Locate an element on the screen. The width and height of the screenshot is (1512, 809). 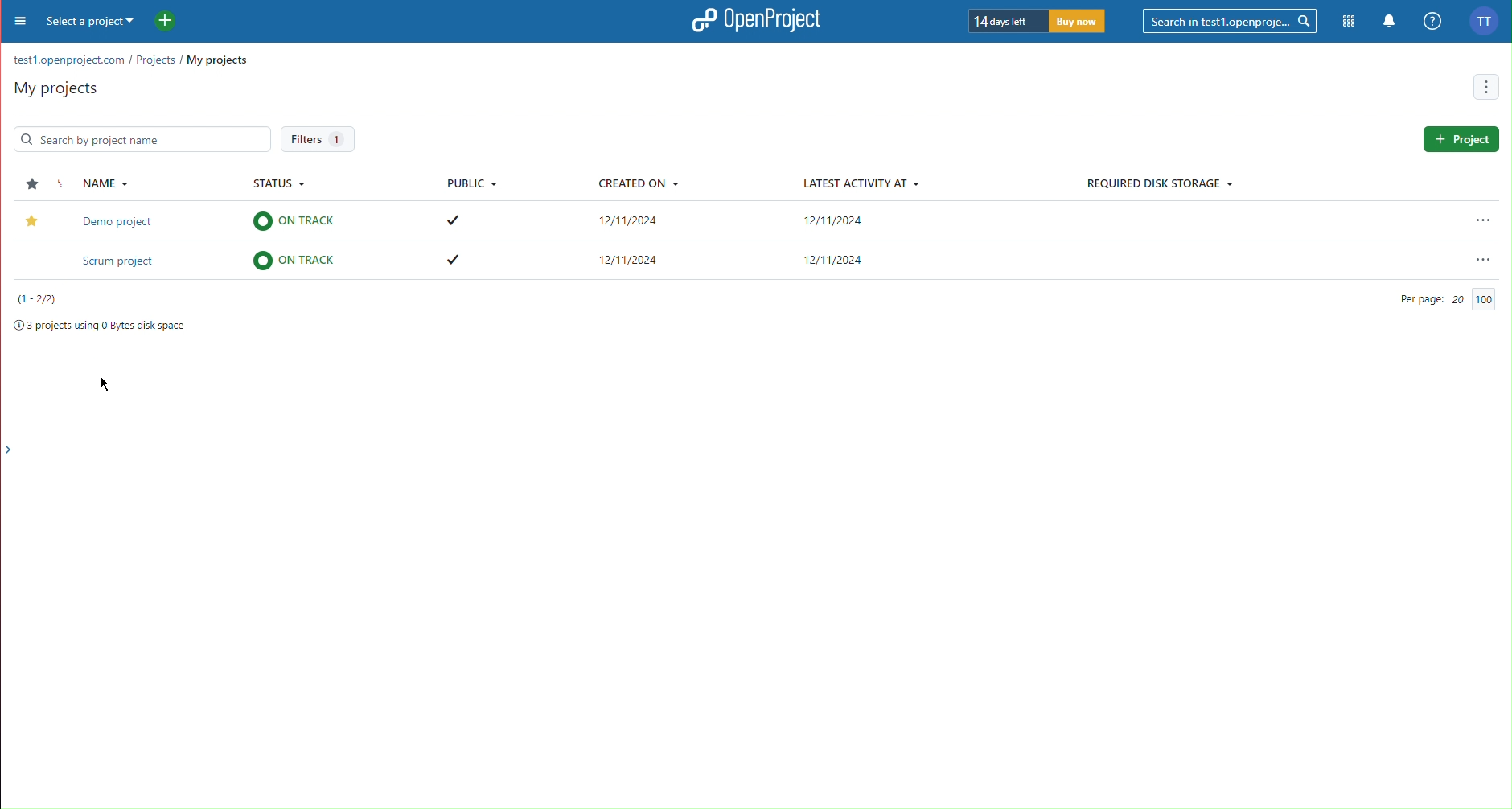
Modules is located at coordinates (1346, 19).